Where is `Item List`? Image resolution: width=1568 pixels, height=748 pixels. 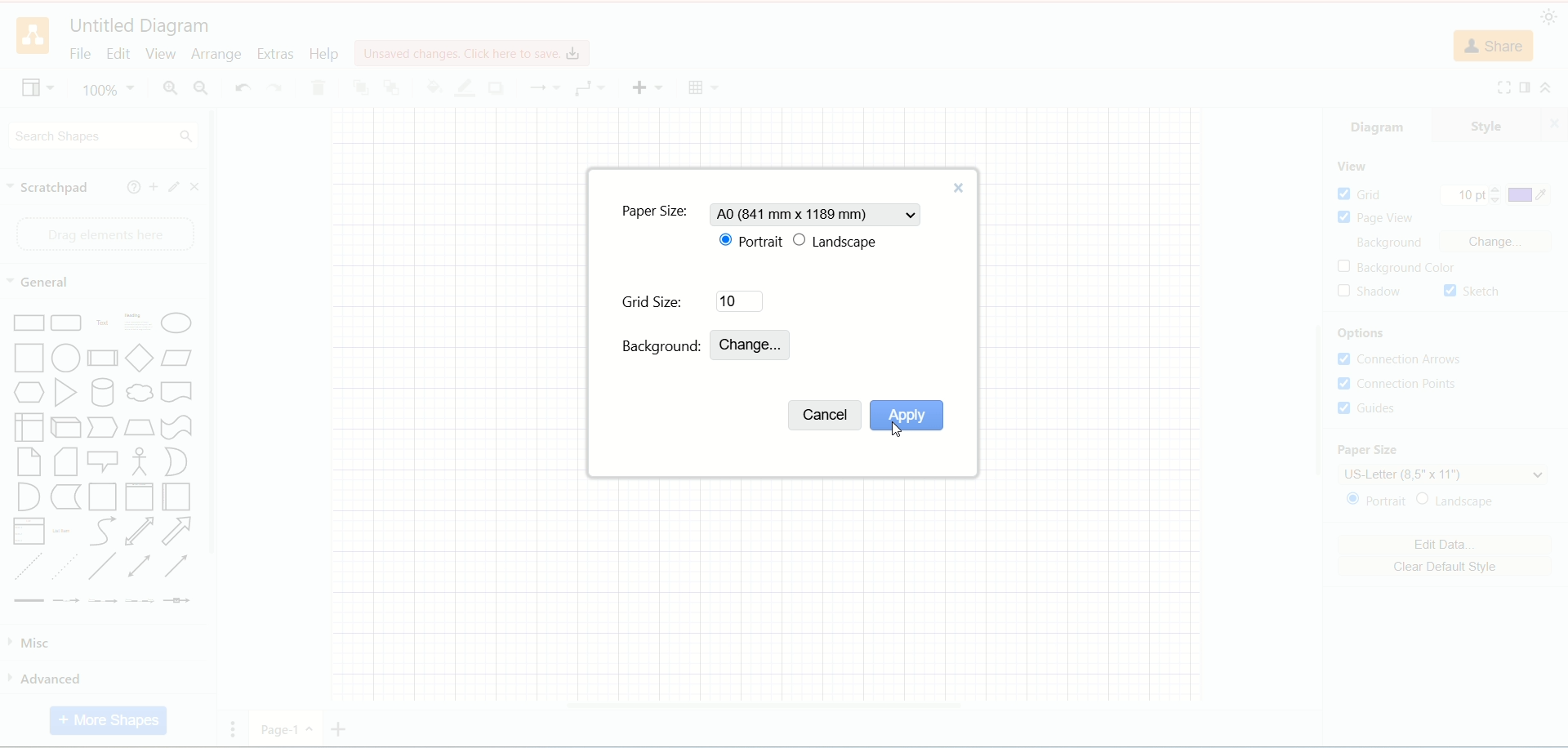
Item List is located at coordinates (28, 532).